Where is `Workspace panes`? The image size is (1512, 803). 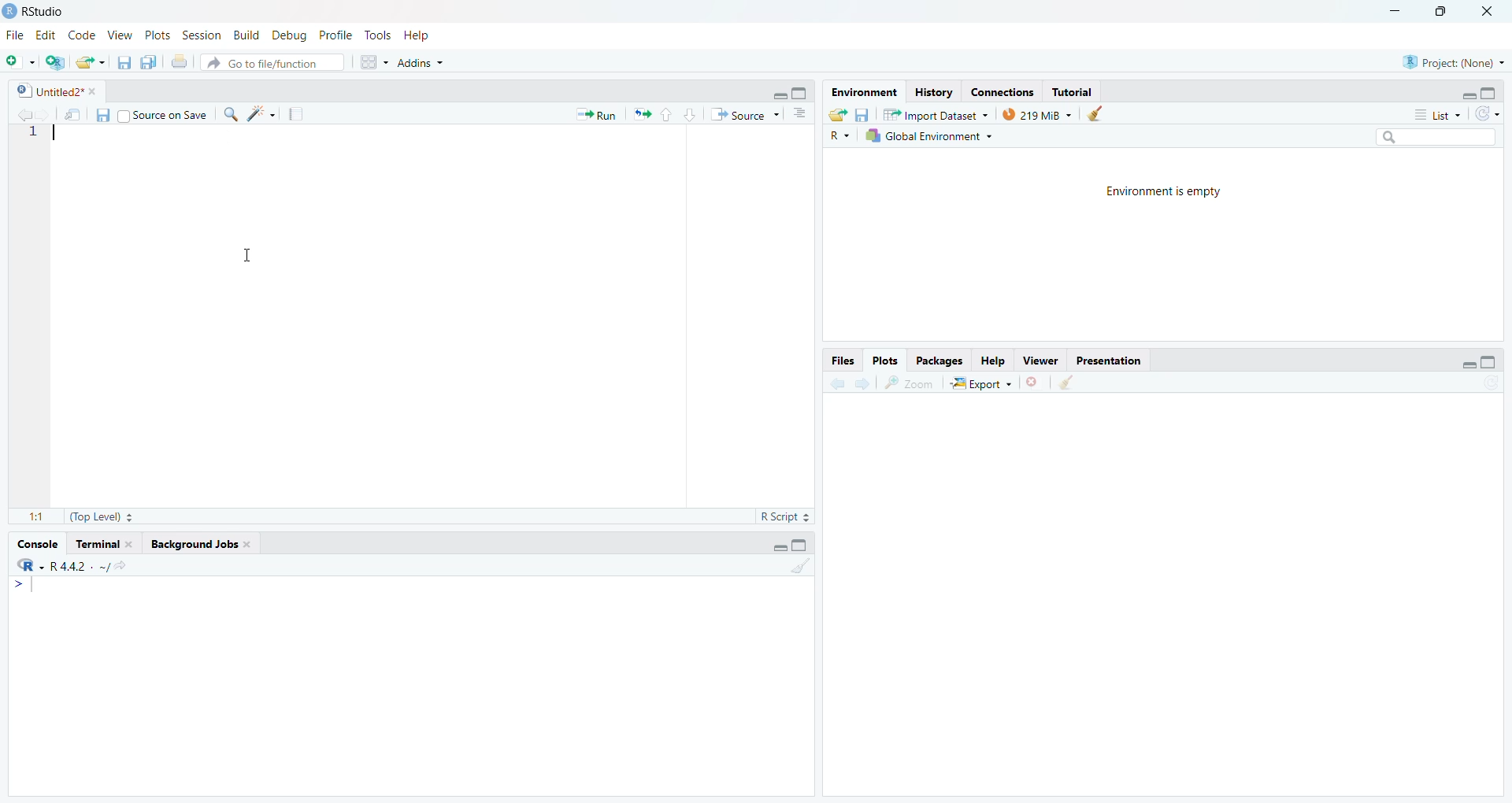 Workspace panes is located at coordinates (371, 61).